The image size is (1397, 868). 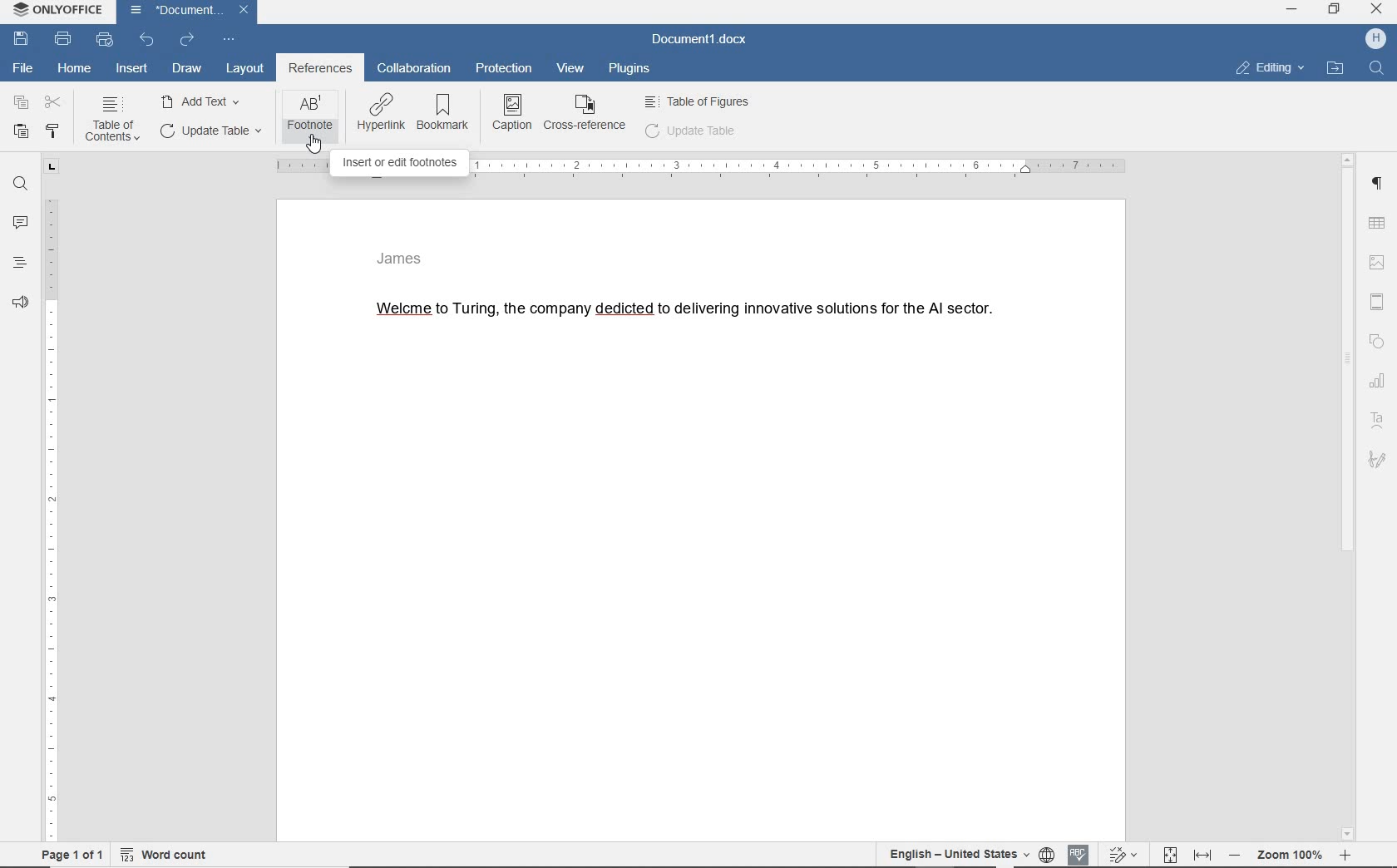 I want to click on scrollbar, so click(x=1352, y=497).